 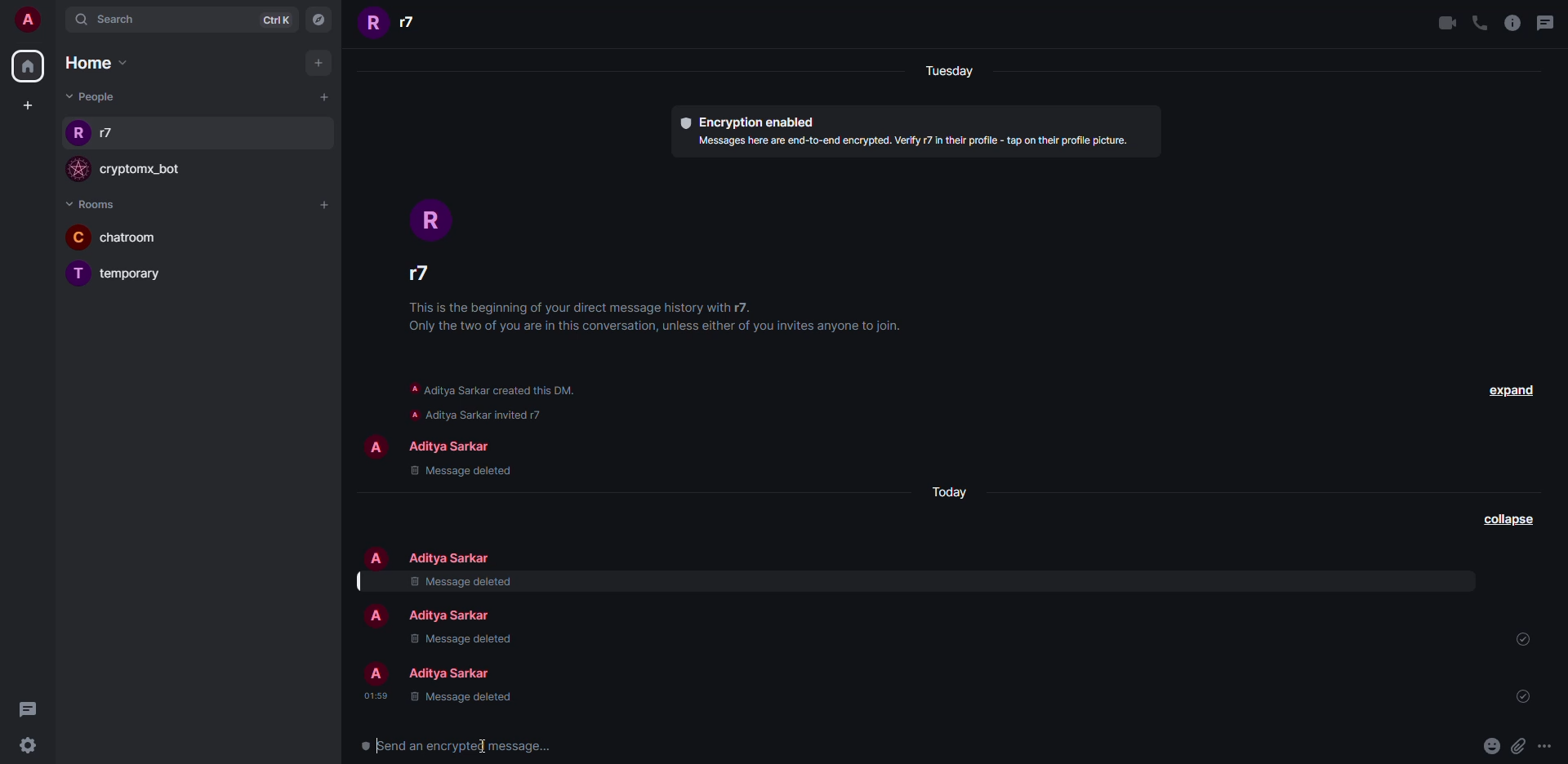 What do you see at coordinates (946, 71) in the screenshot?
I see `day` at bounding box center [946, 71].